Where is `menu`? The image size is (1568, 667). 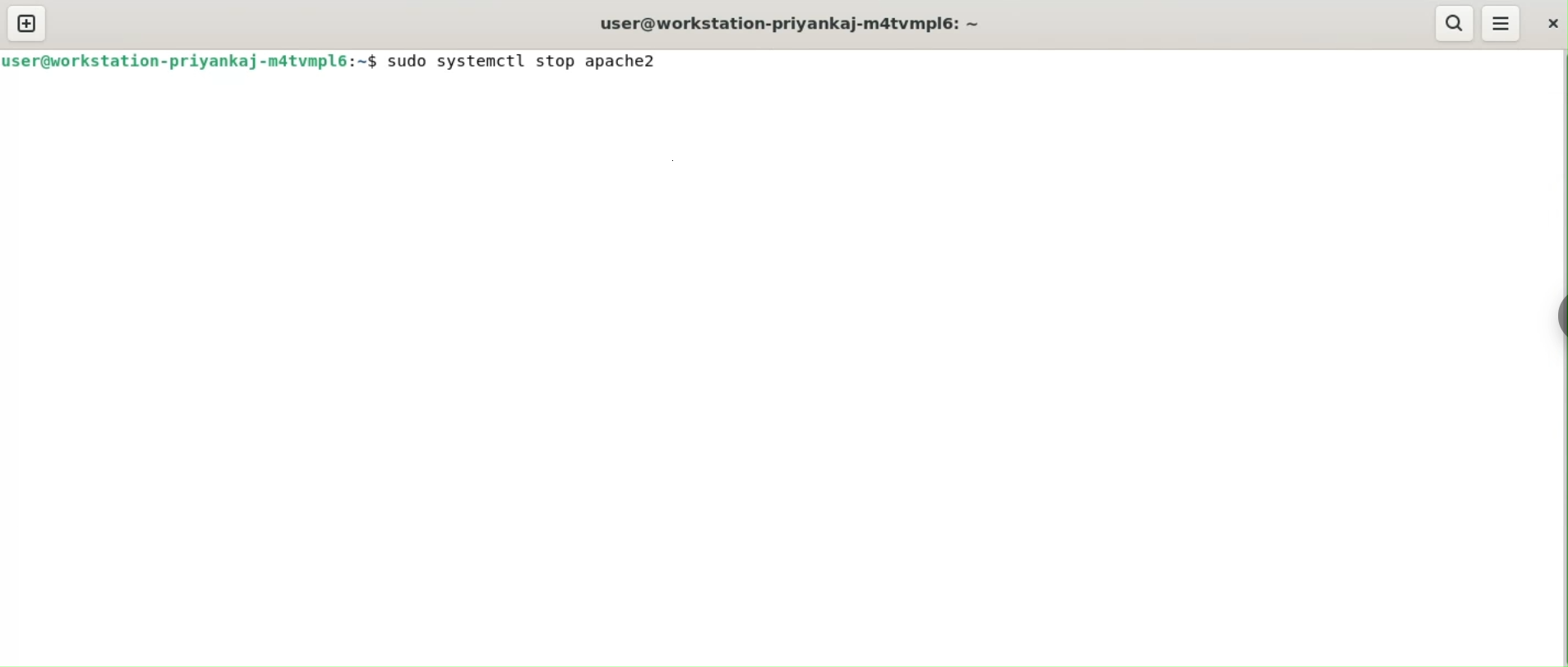
menu is located at coordinates (1502, 25).